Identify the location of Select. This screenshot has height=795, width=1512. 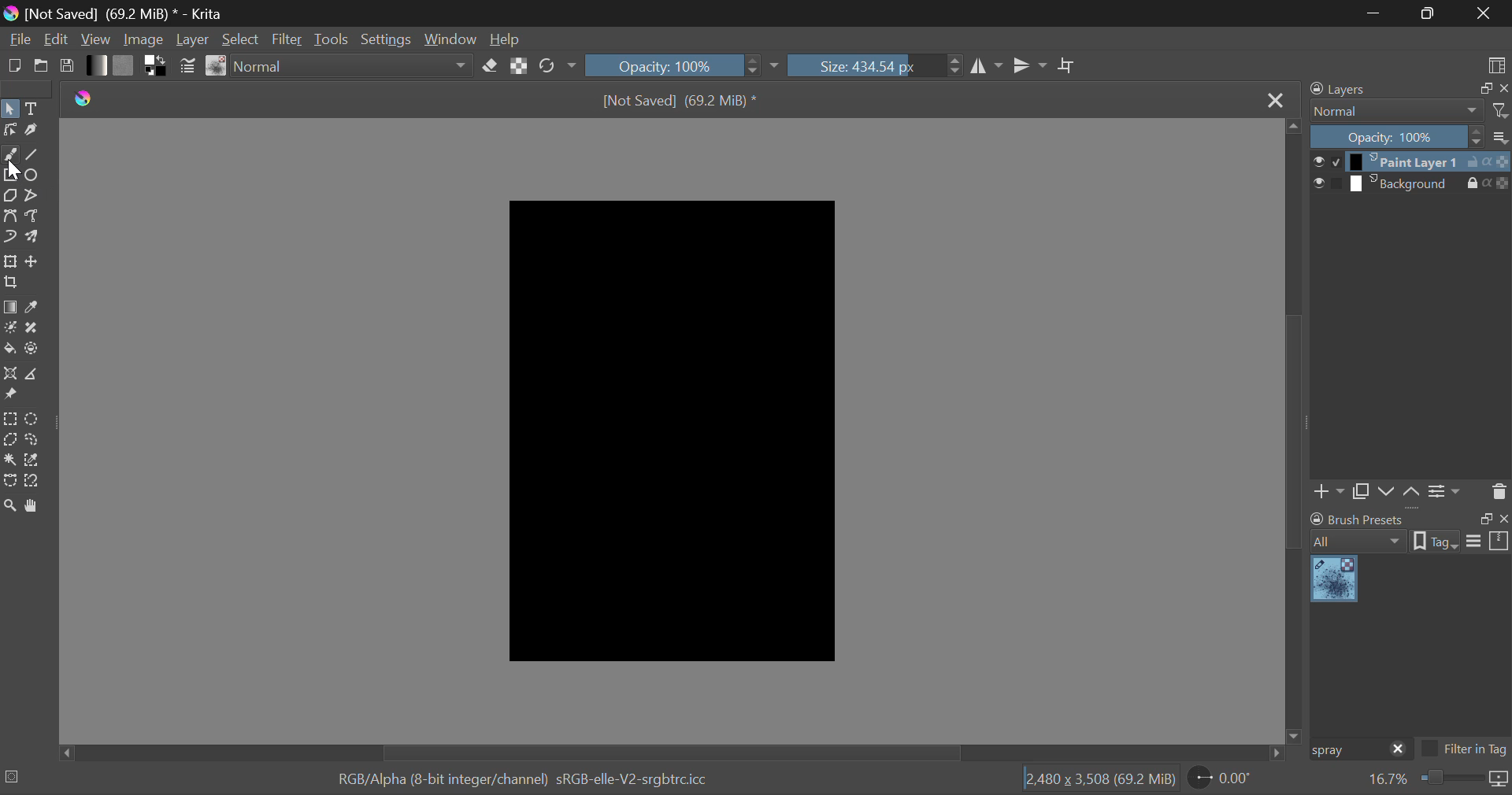
(9, 109).